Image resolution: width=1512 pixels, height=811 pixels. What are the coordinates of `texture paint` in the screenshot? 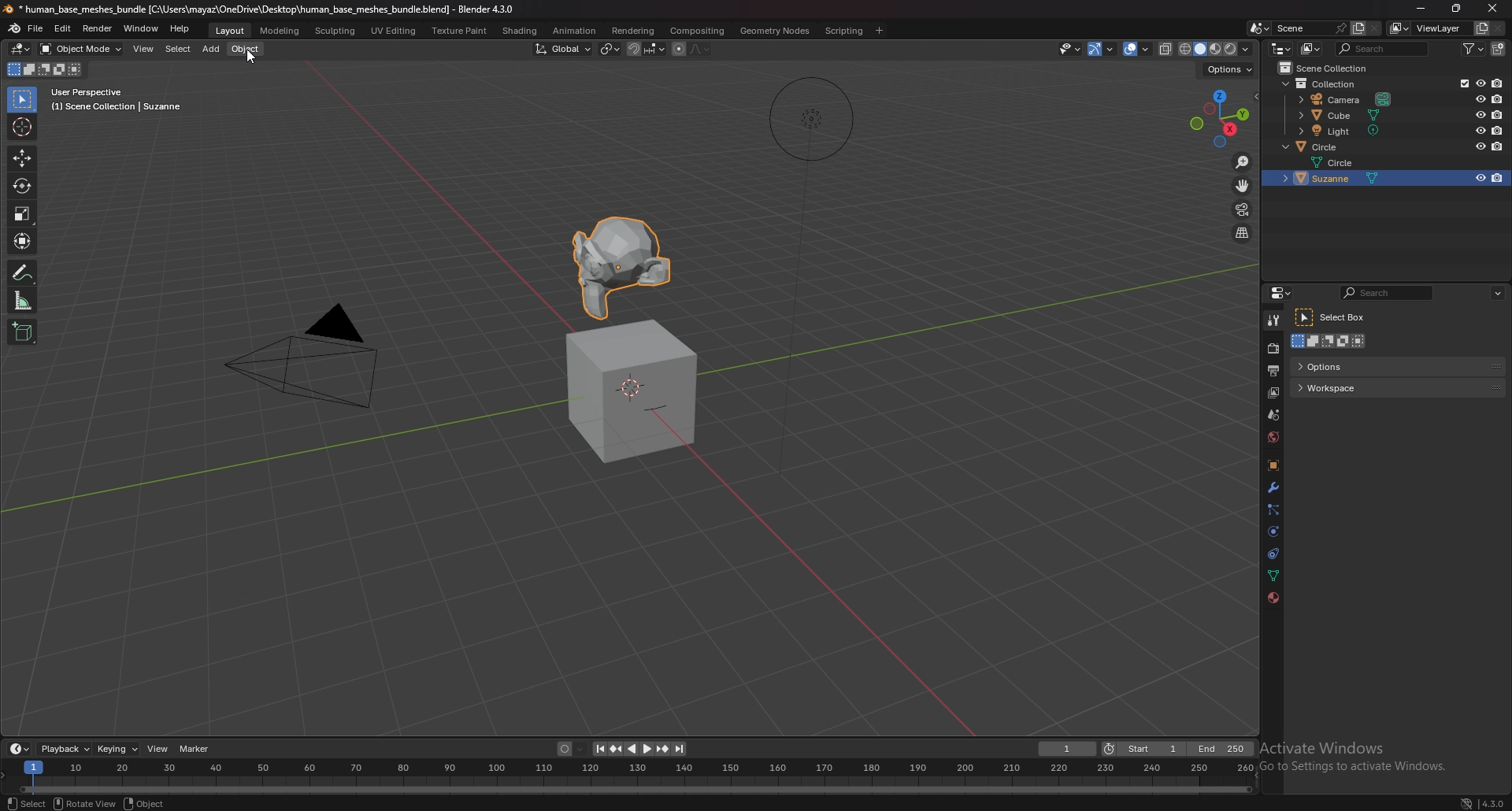 It's located at (460, 30).